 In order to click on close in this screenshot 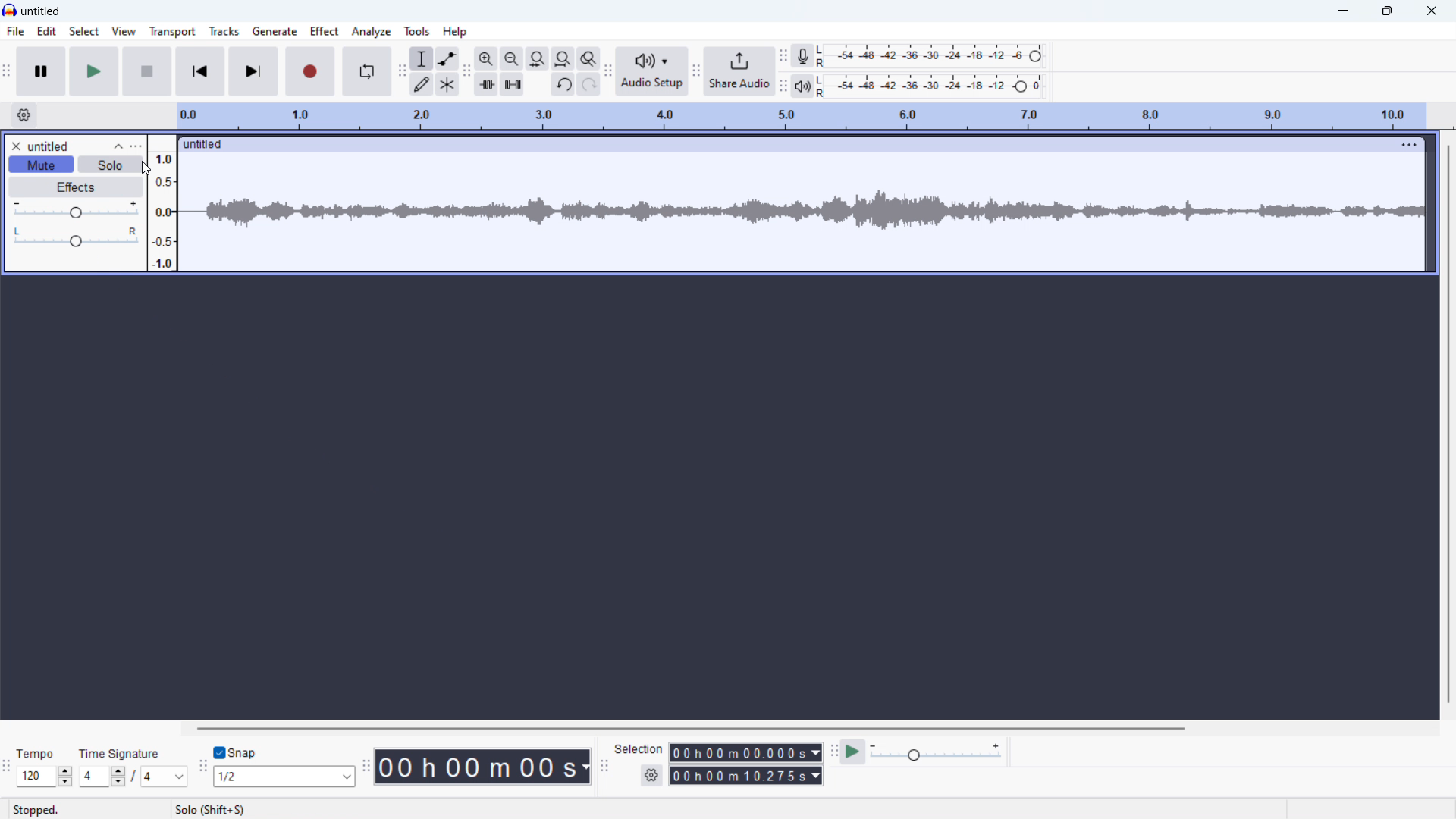, I will do `click(1430, 11)`.